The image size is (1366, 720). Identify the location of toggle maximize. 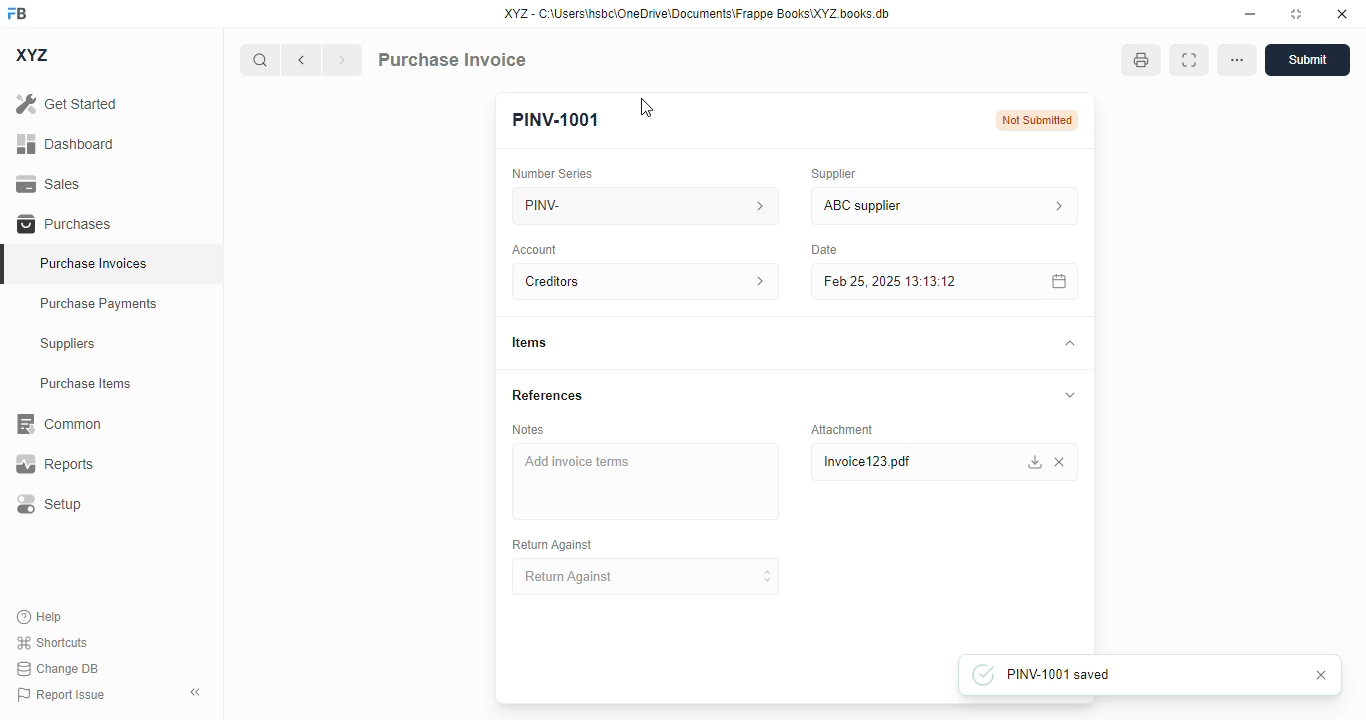
(1295, 13).